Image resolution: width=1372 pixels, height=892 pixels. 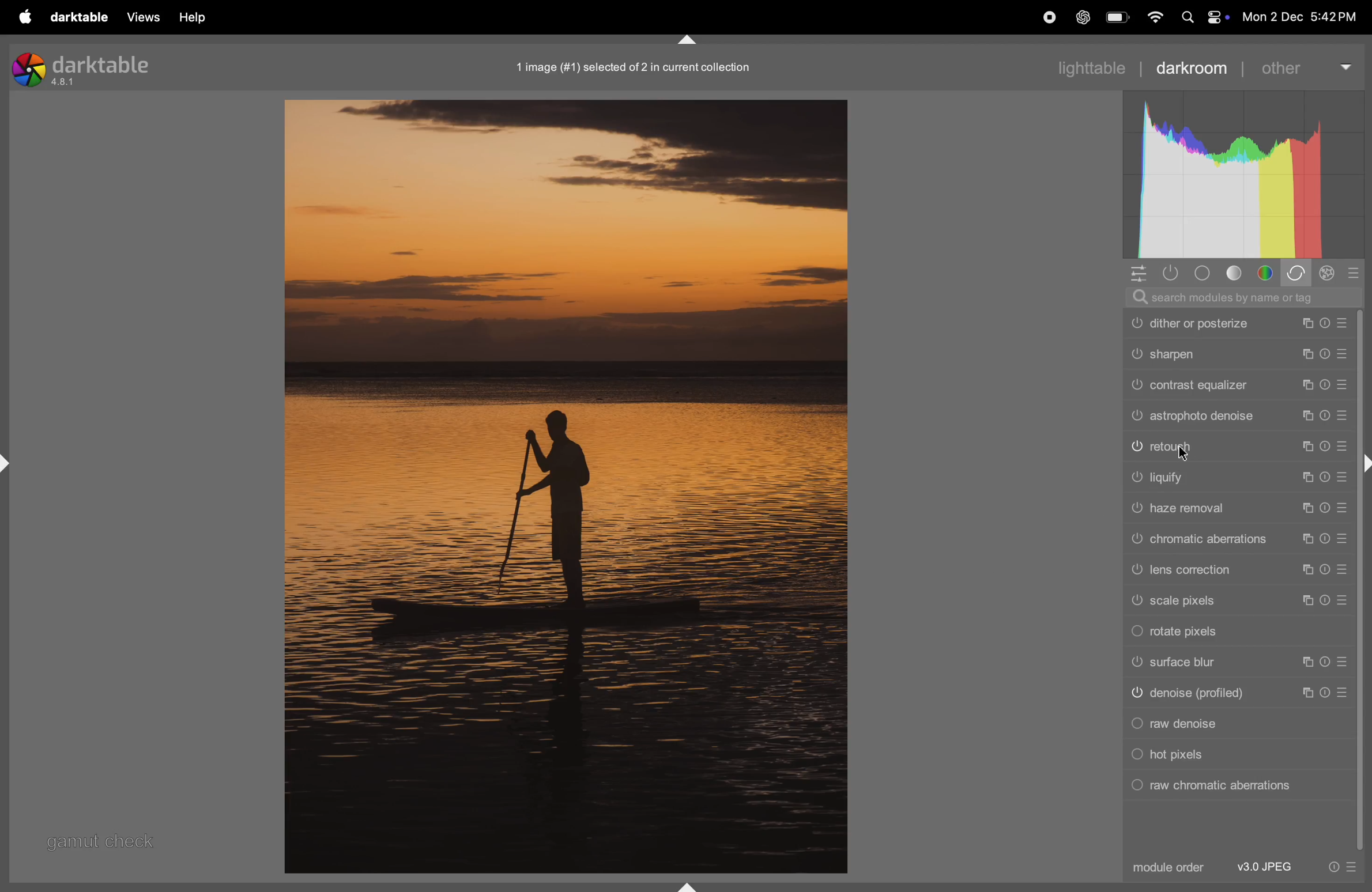 I want to click on chatgpt, so click(x=1084, y=17).